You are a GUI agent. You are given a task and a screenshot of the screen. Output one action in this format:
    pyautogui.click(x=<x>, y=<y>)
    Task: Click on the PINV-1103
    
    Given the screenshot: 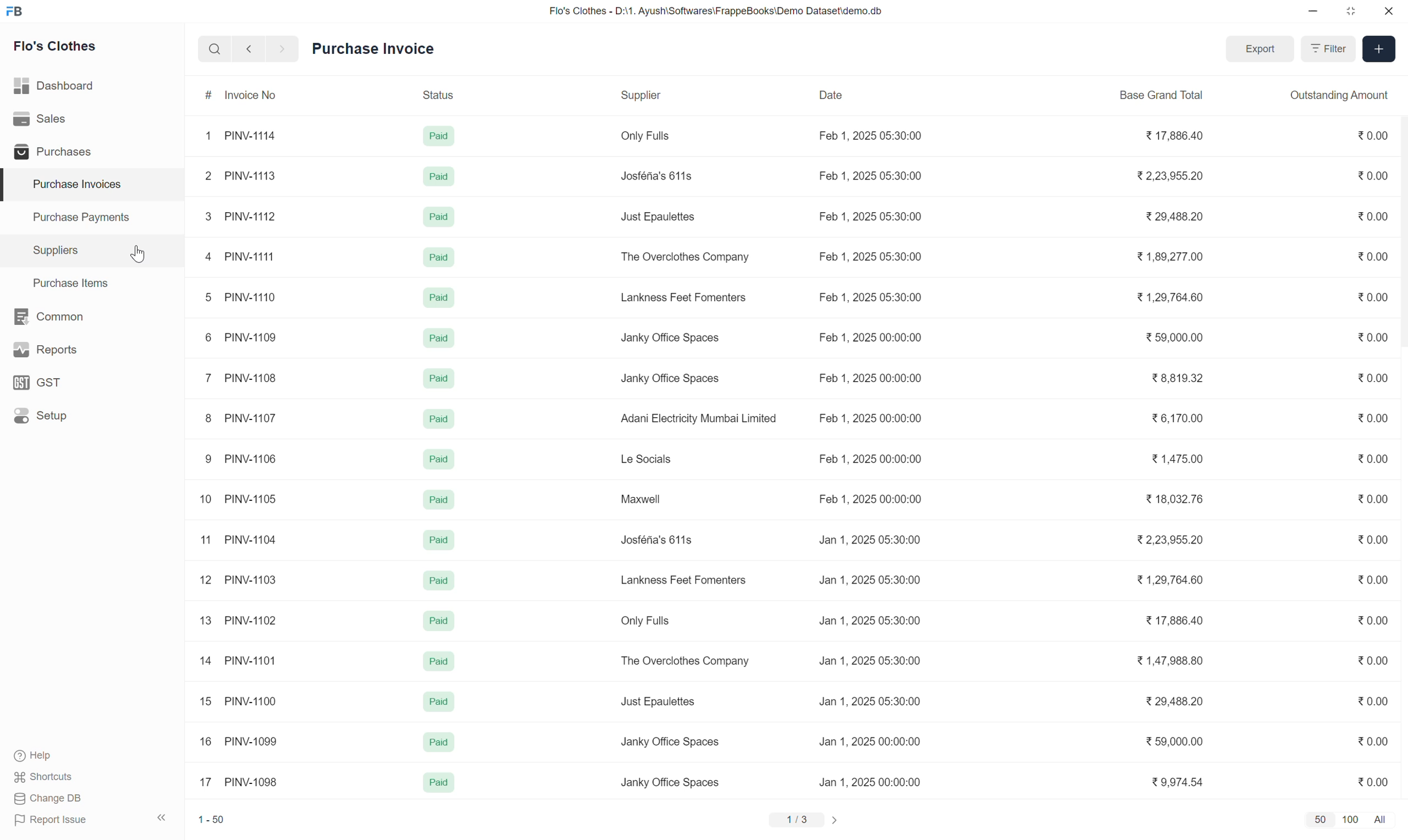 What is the action you would take?
    pyautogui.click(x=252, y=580)
    